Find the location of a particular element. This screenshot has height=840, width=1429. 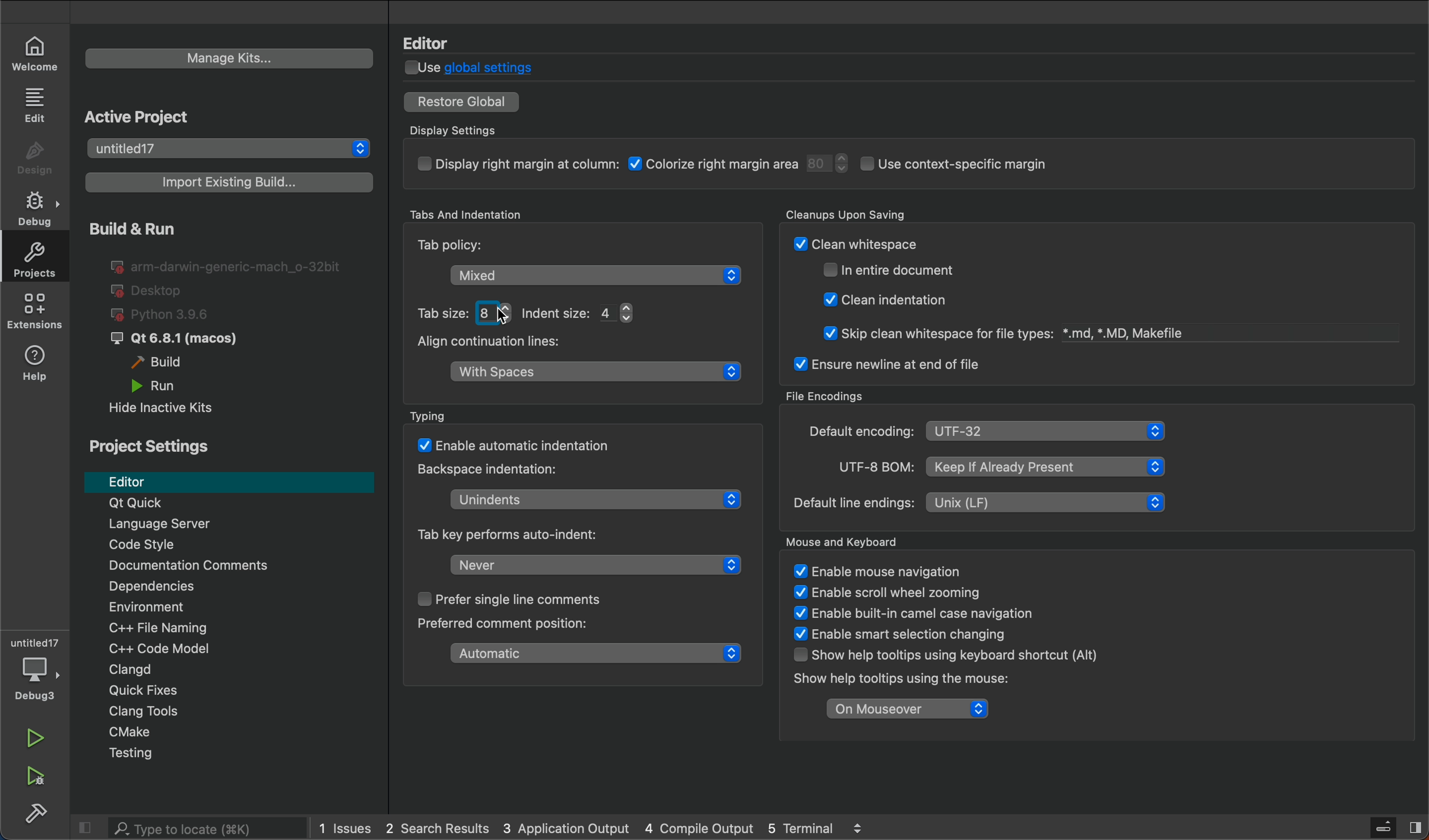

run is located at coordinates (38, 739).